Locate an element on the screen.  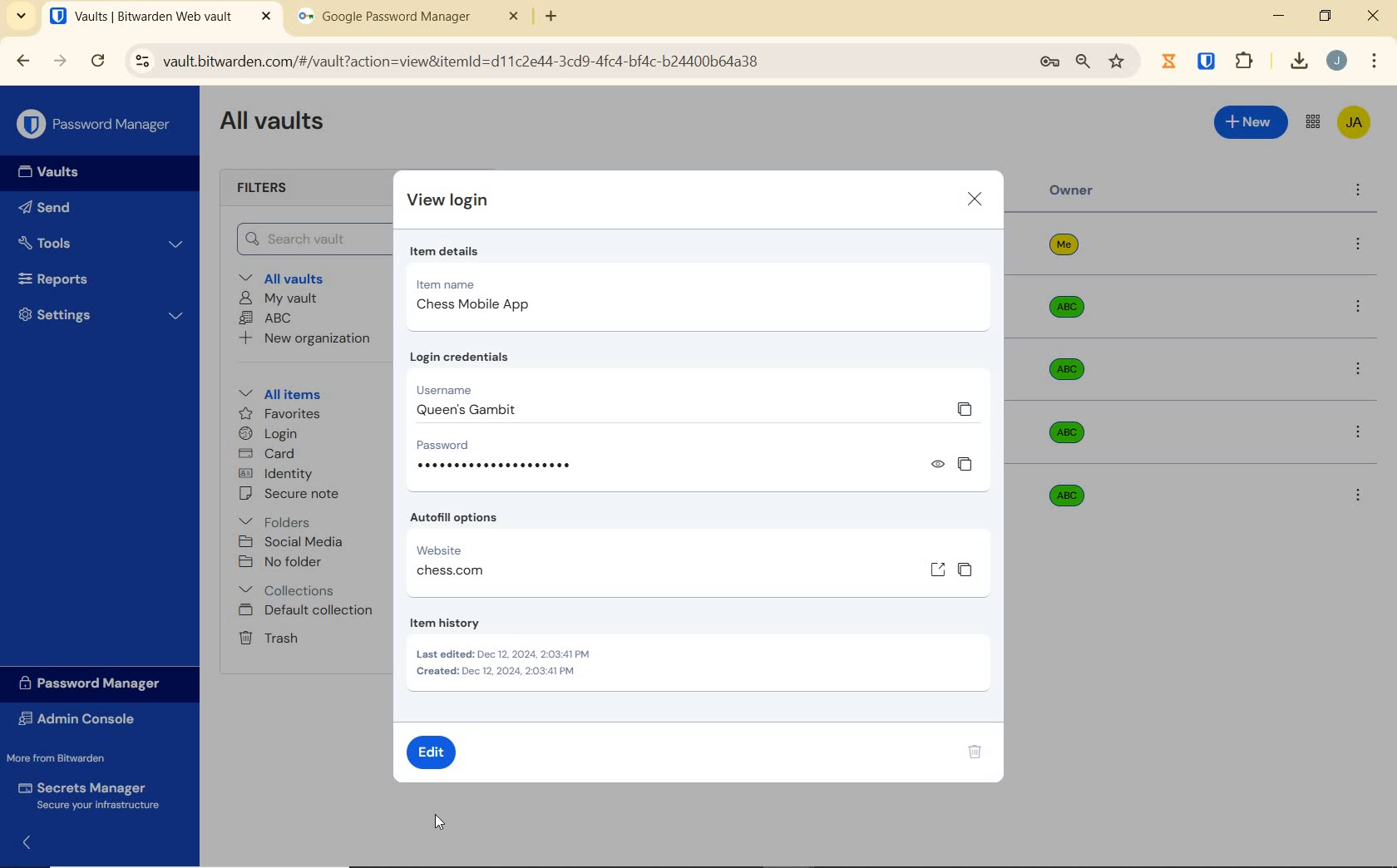
Account is located at coordinates (1336, 61).